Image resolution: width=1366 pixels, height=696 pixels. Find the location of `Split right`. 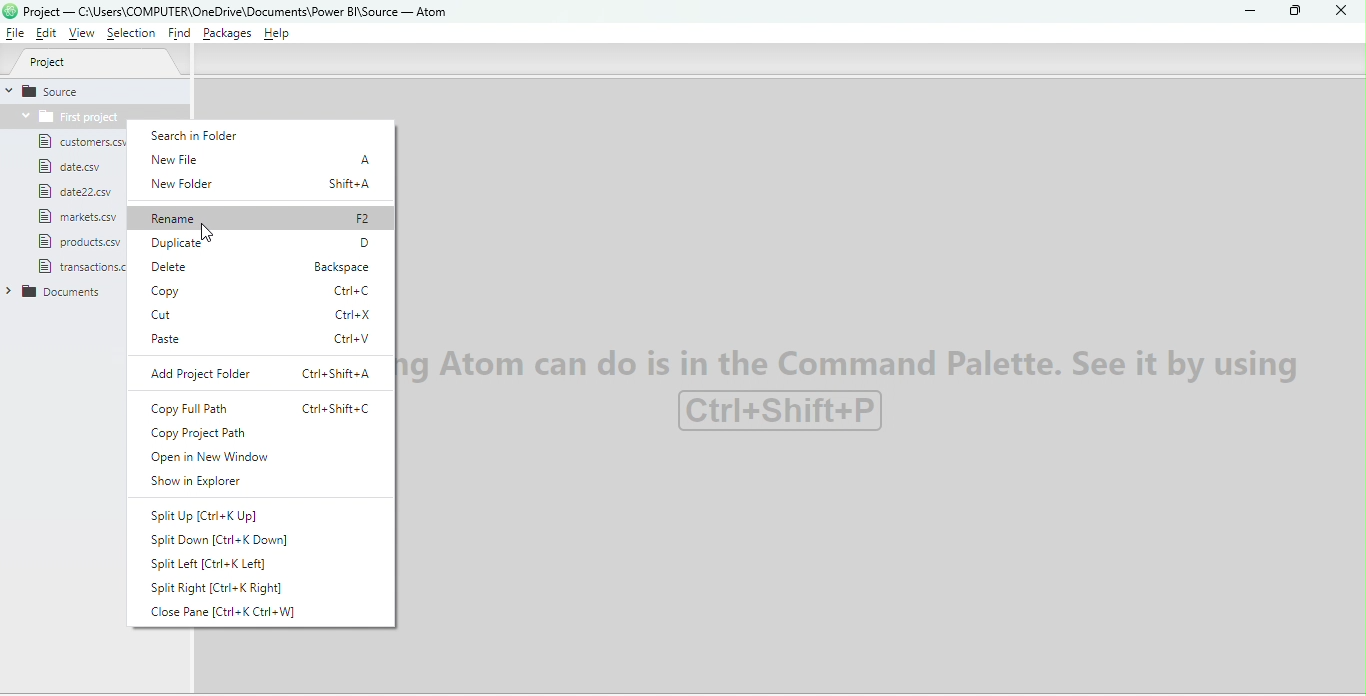

Split right is located at coordinates (226, 586).